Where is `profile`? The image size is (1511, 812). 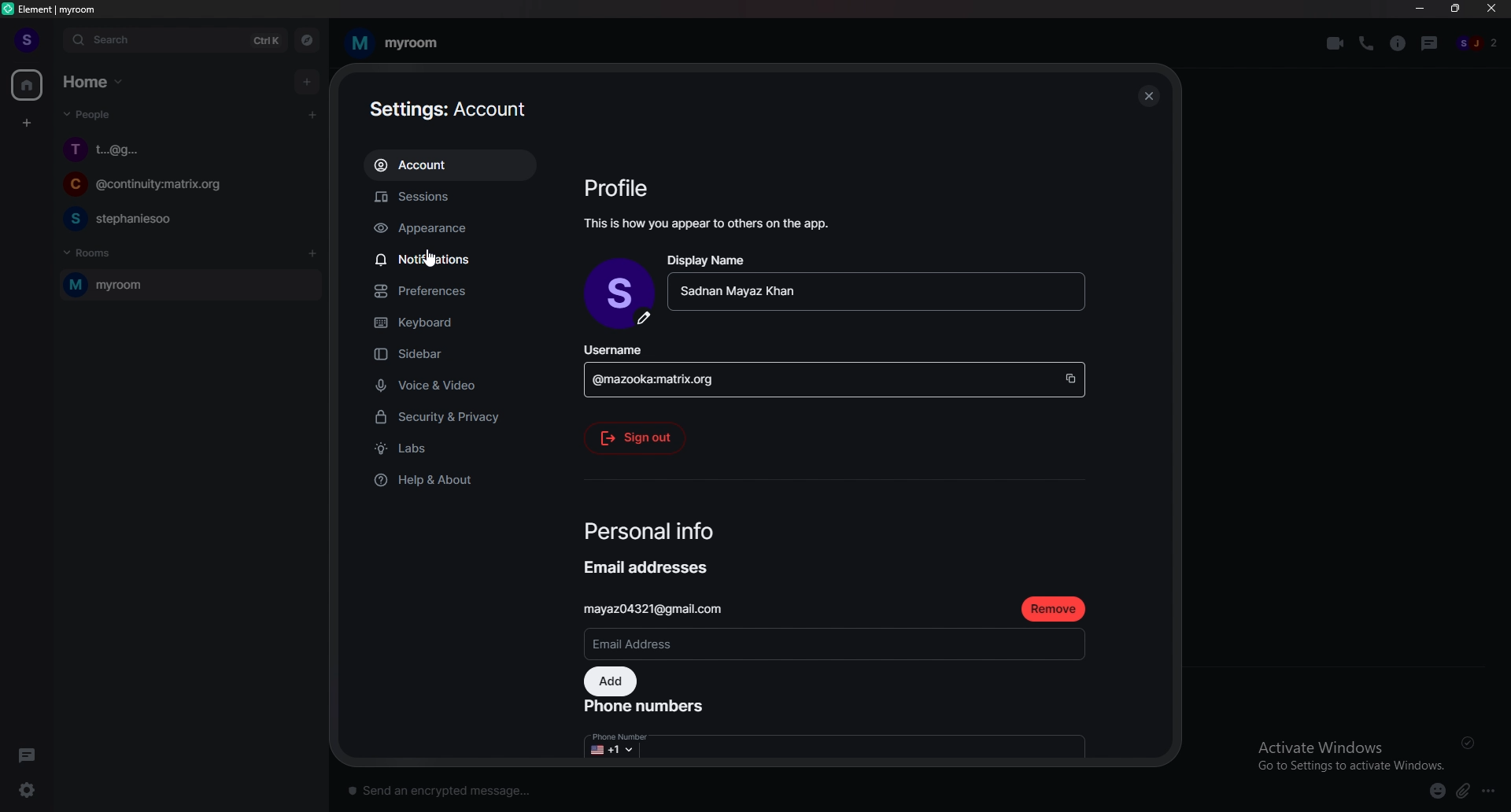
profile is located at coordinates (619, 187).